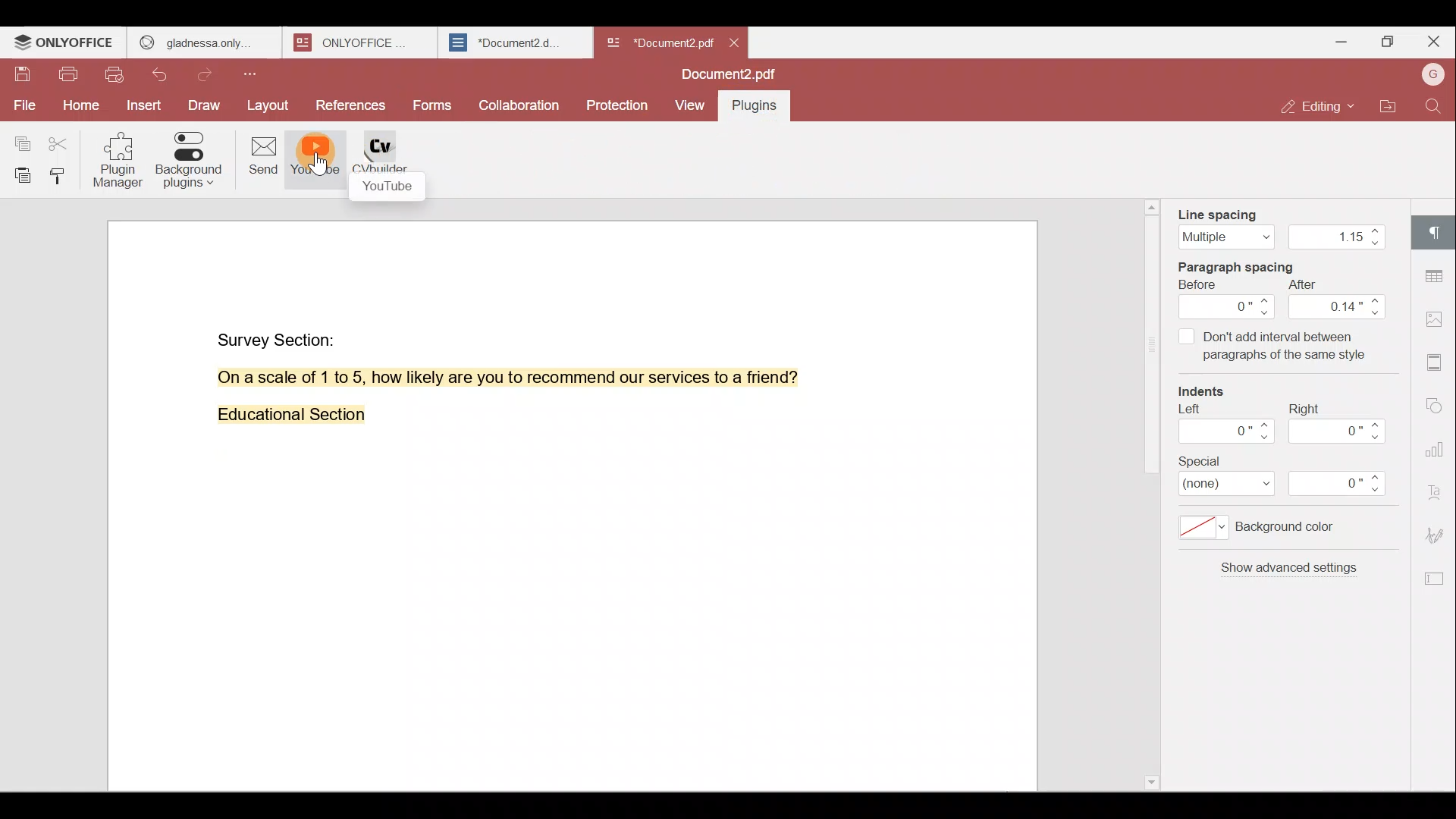  I want to click on Background plugins, so click(188, 160).